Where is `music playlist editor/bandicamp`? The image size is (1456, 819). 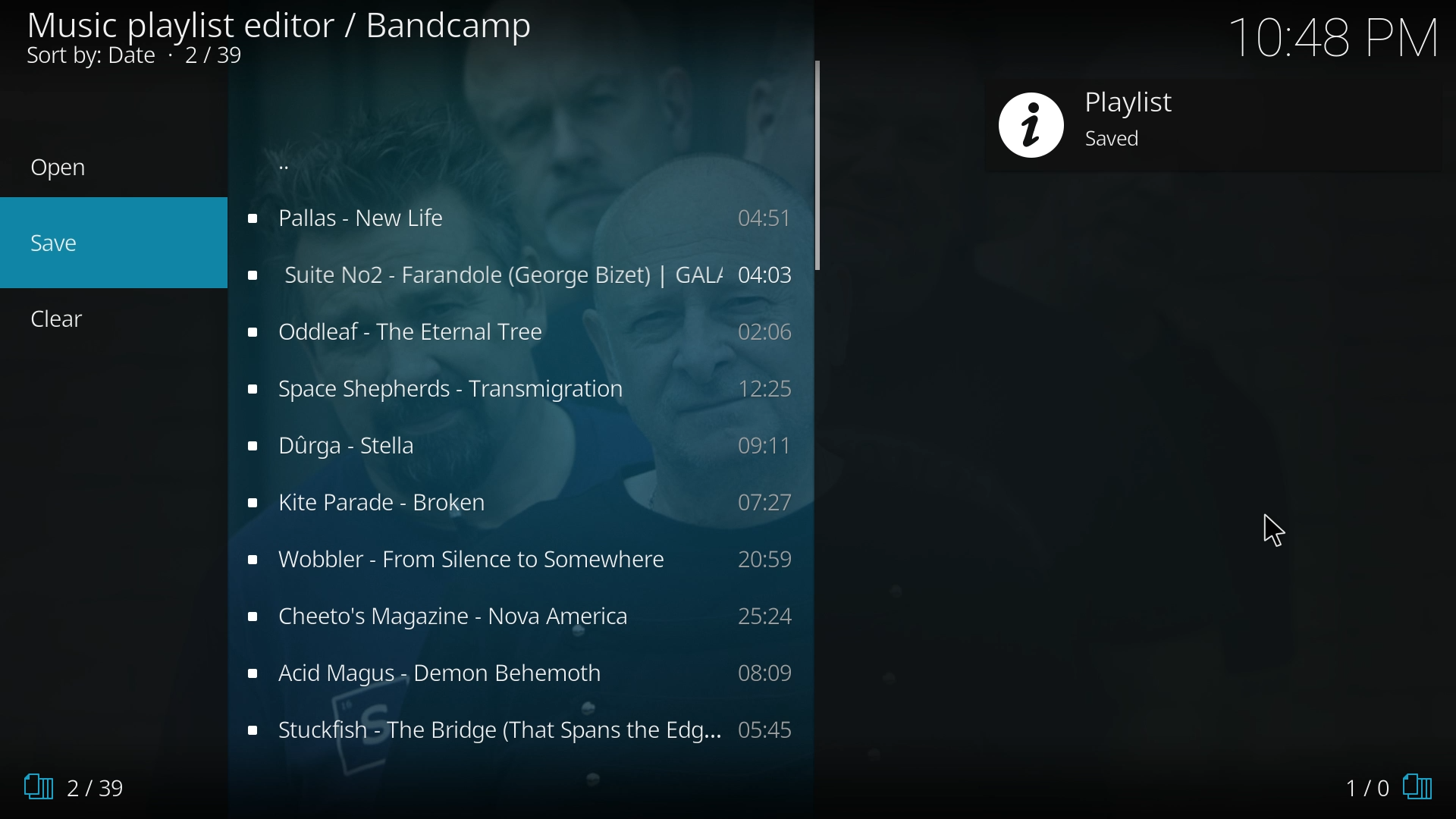 music playlist editor/bandicamp is located at coordinates (284, 36).